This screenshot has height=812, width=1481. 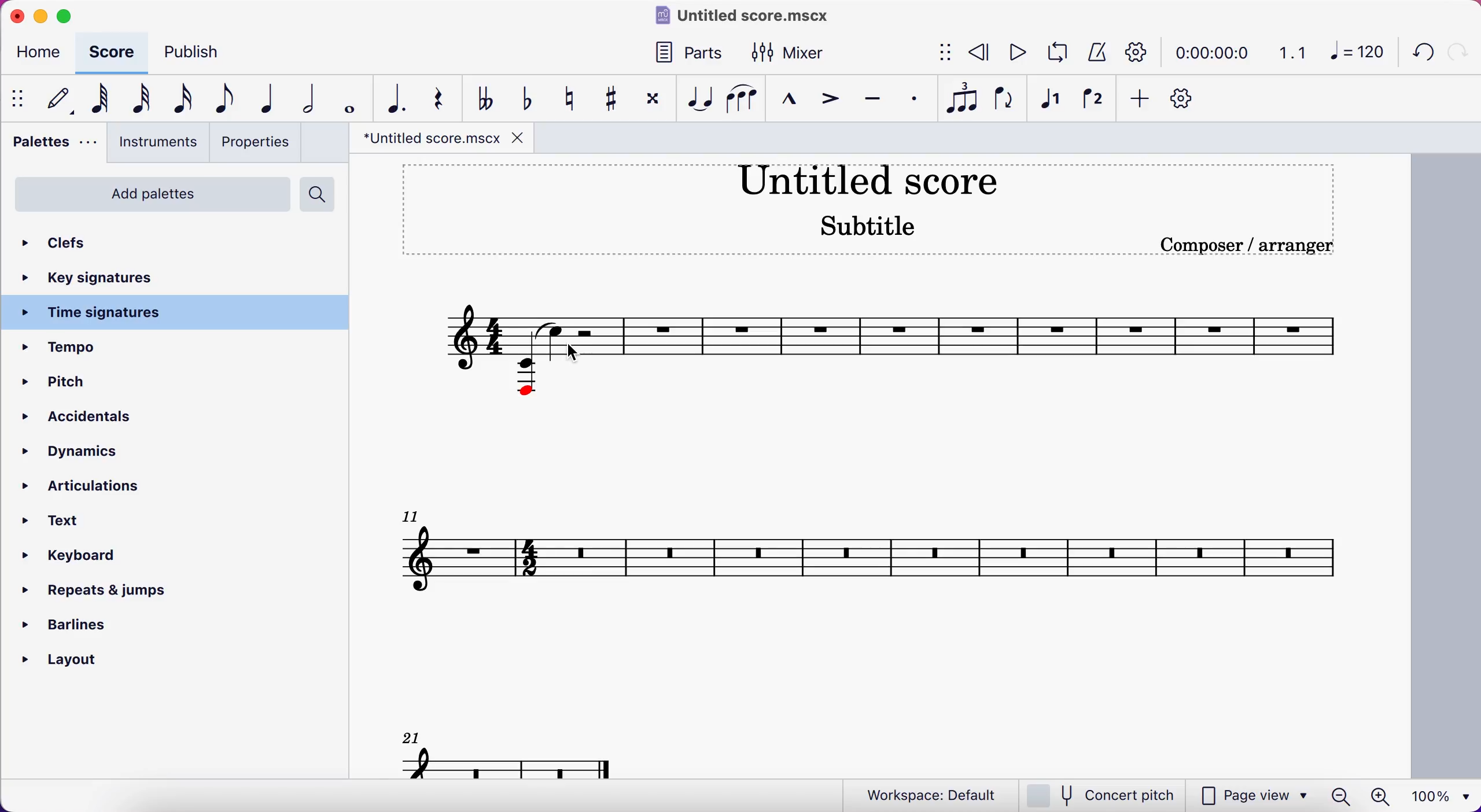 I want to click on musical scale, so click(x=874, y=518).